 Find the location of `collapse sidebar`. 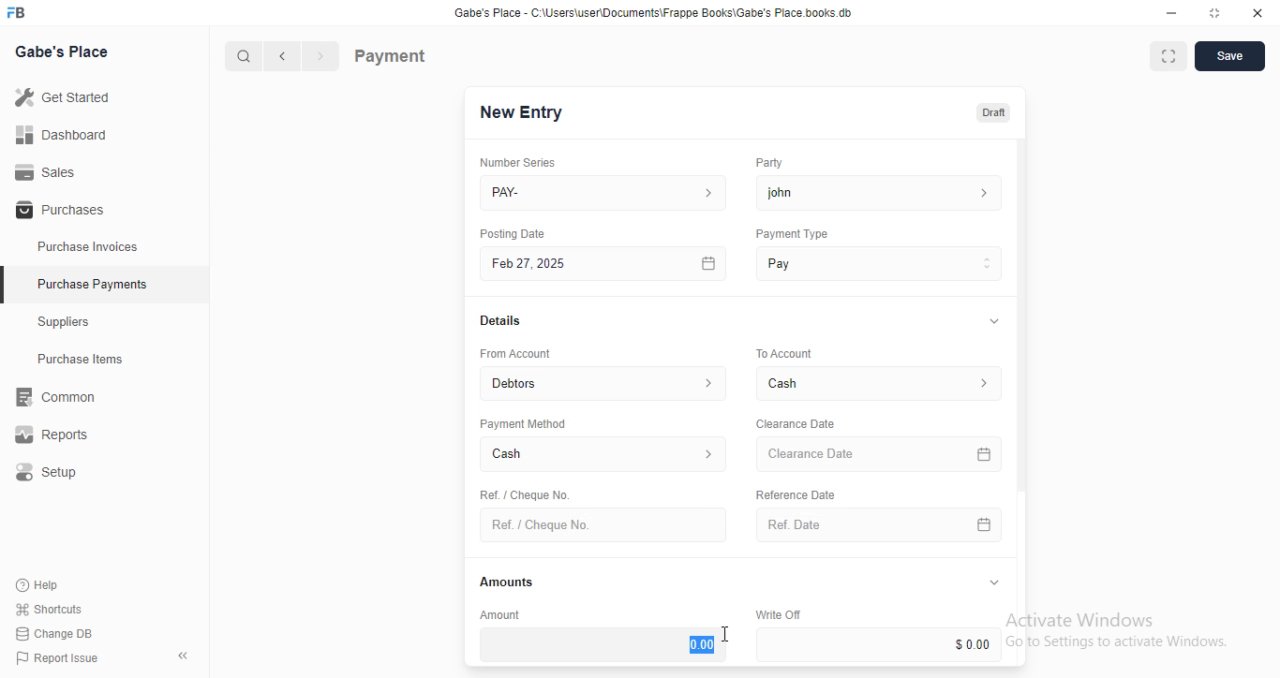

collapse sidebar is located at coordinates (182, 655).